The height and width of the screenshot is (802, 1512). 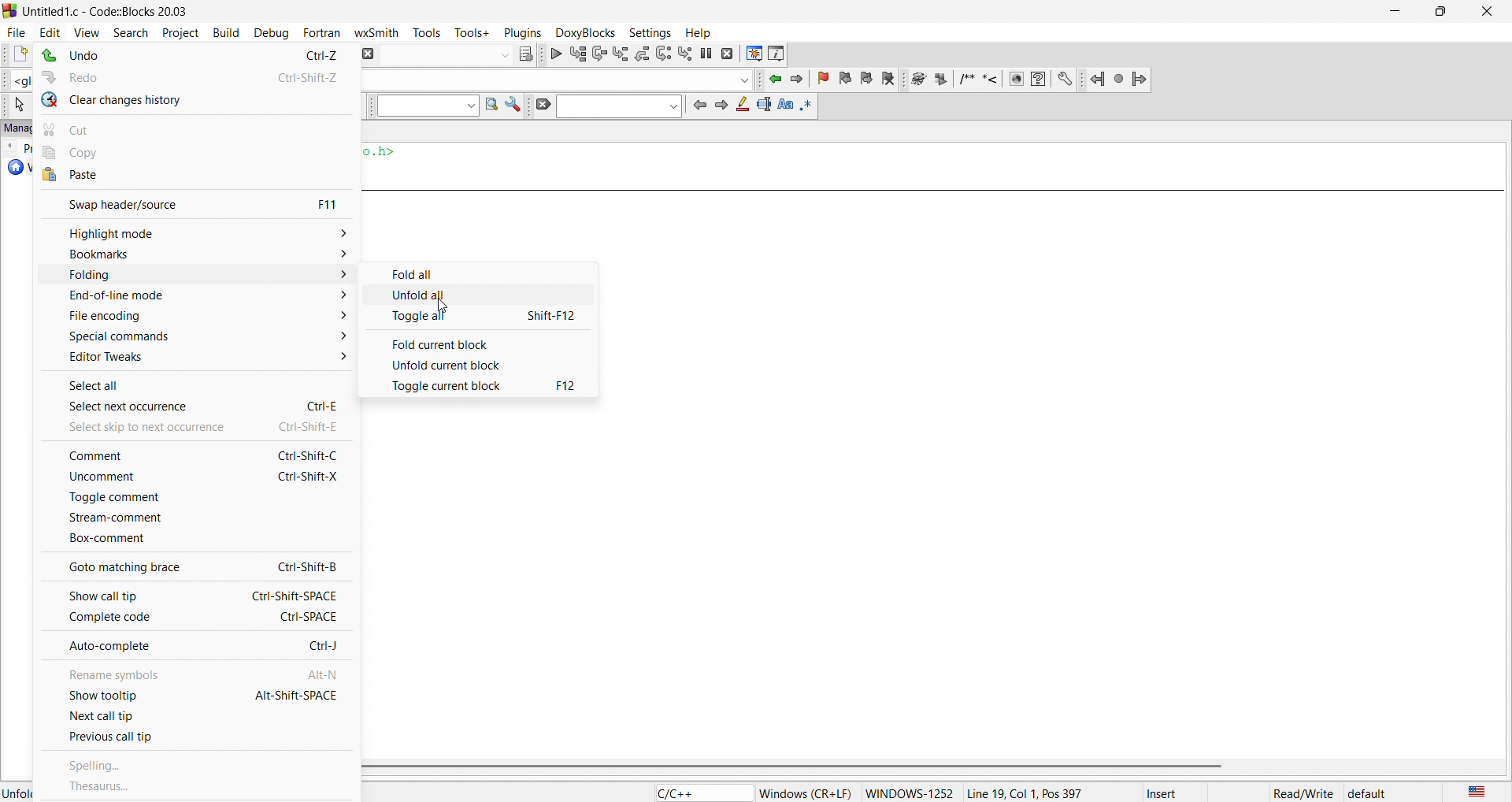 I want to click on file, so click(x=14, y=30).